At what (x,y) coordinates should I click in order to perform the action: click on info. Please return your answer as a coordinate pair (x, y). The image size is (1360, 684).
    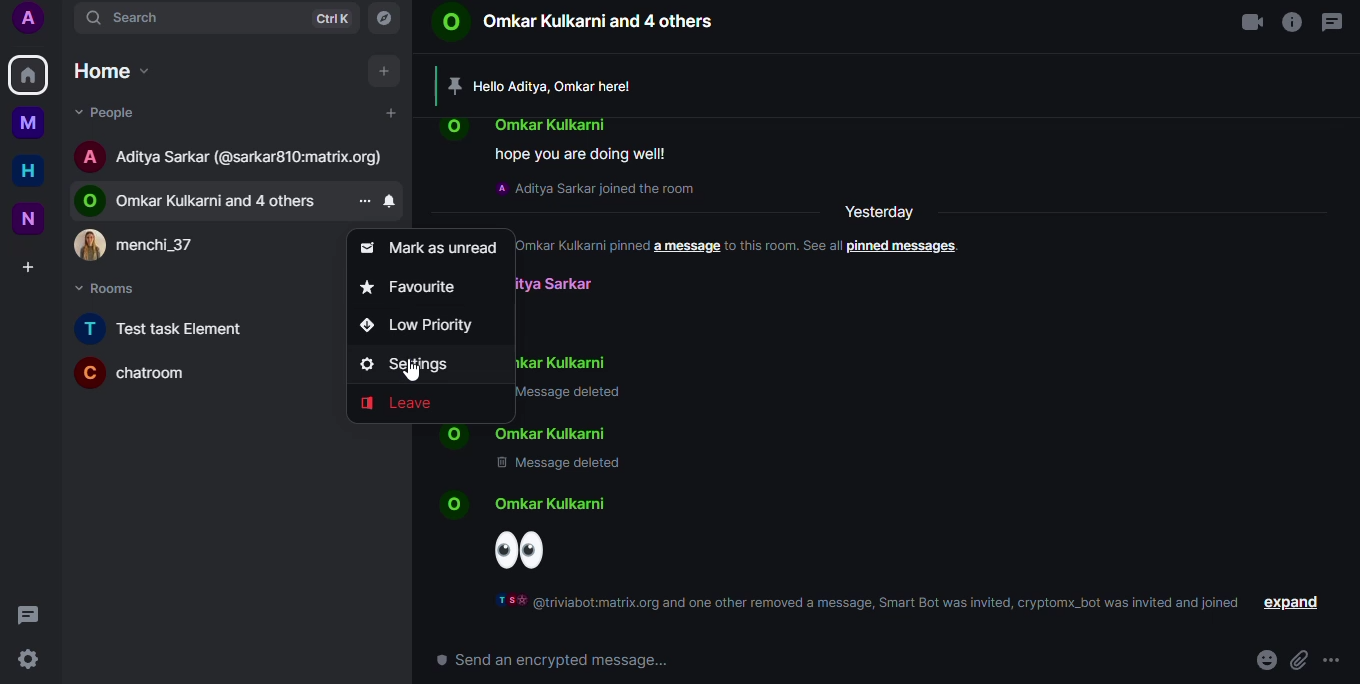
    Looking at the image, I should click on (598, 189).